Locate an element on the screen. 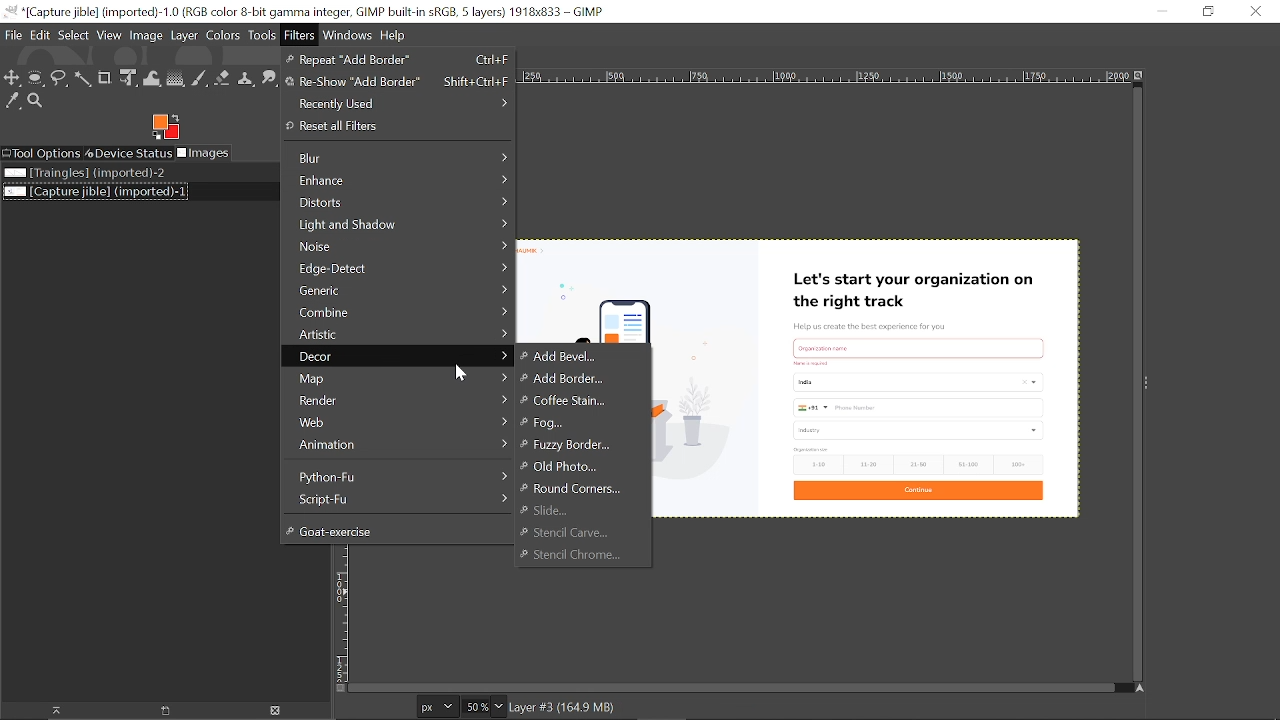 The width and height of the screenshot is (1280, 720). country is located at coordinates (918, 381).